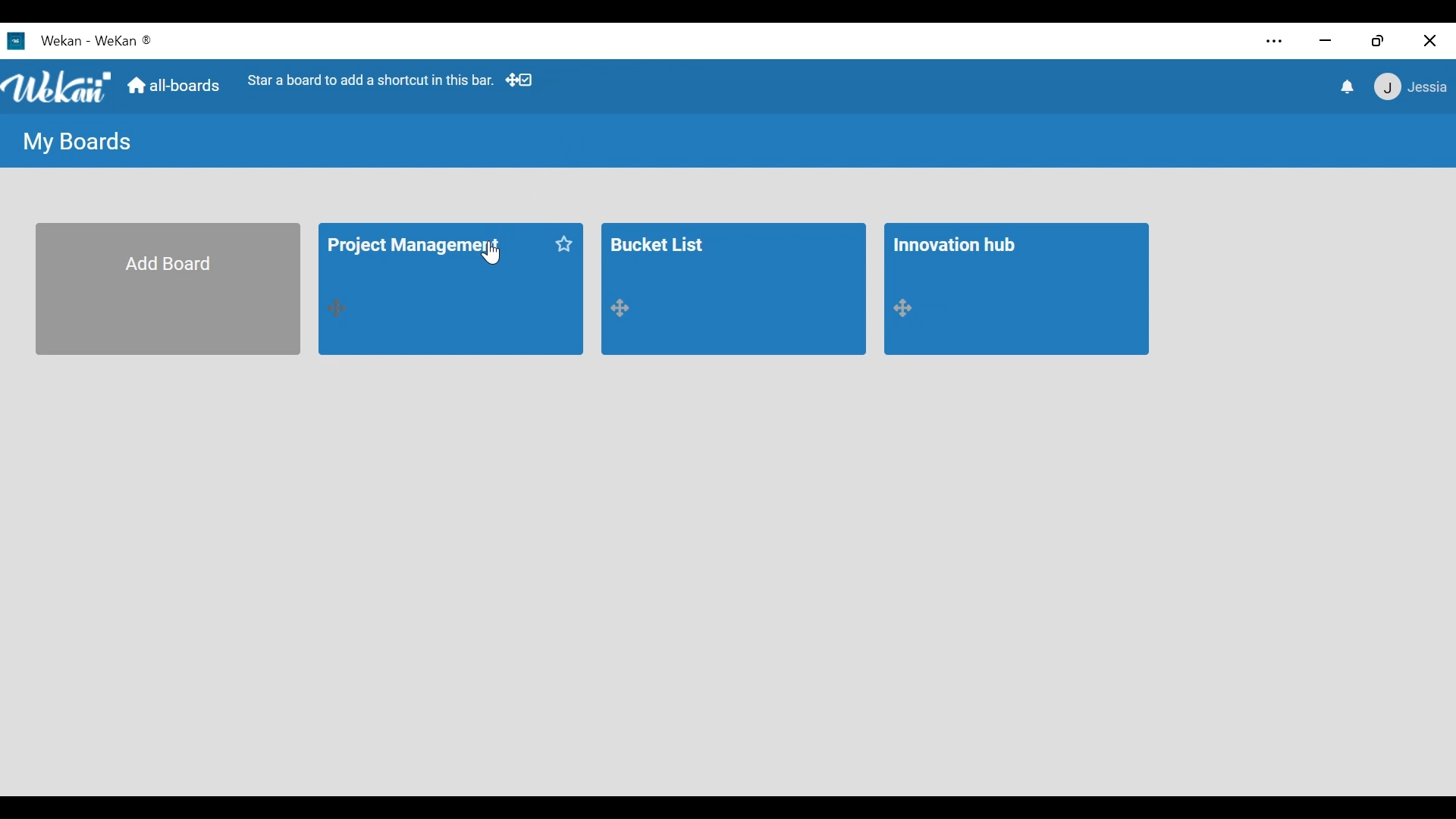  What do you see at coordinates (124, 39) in the screenshot?
I see `Wekan` at bounding box center [124, 39].